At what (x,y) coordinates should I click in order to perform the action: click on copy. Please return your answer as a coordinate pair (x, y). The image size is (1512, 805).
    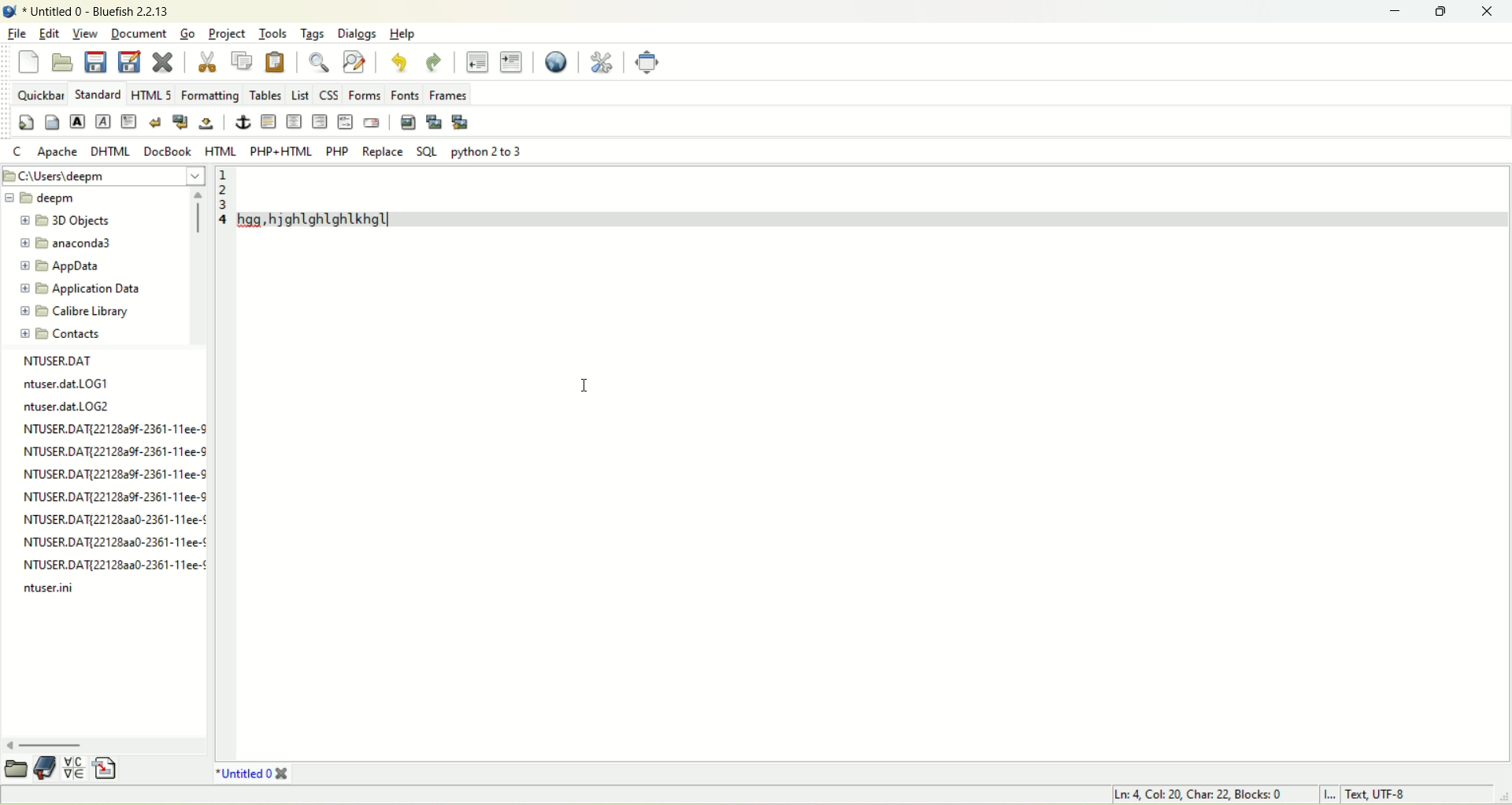
    Looking at the image, I should click on (244, 61).